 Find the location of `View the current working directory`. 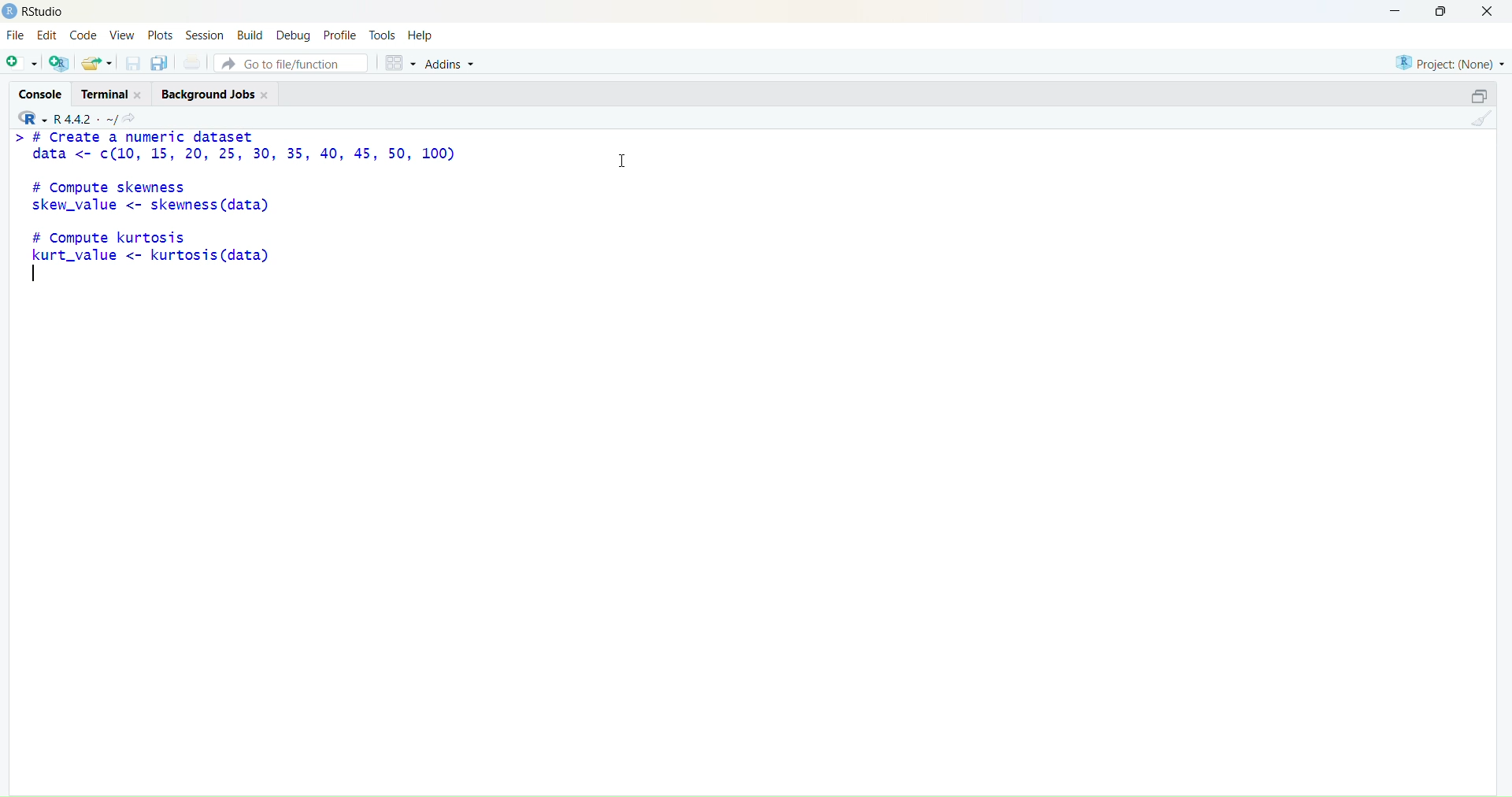

View the current working directory is located at coordinates (134, 117).